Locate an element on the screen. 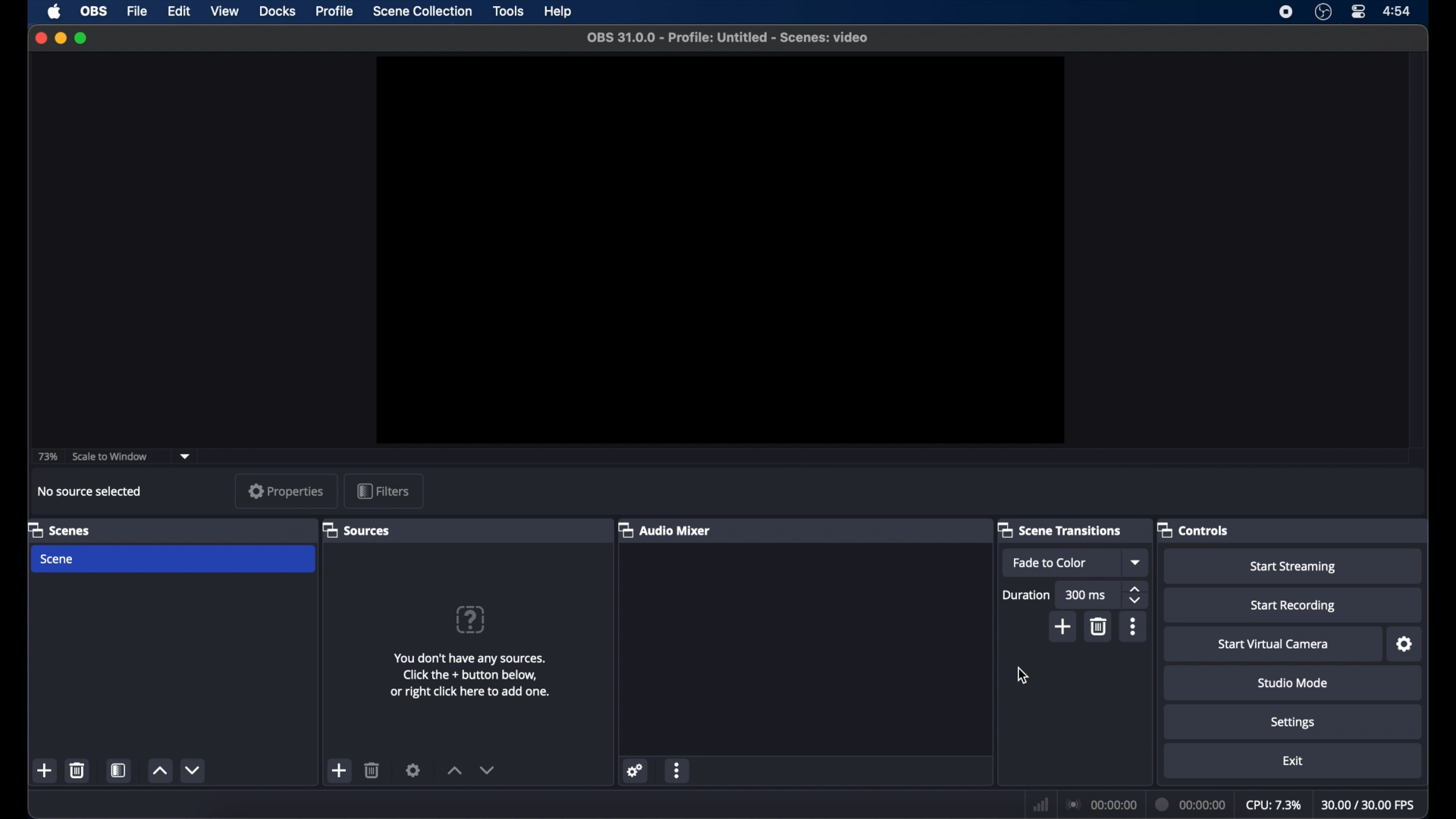  add is located at coordinates (44, 770).